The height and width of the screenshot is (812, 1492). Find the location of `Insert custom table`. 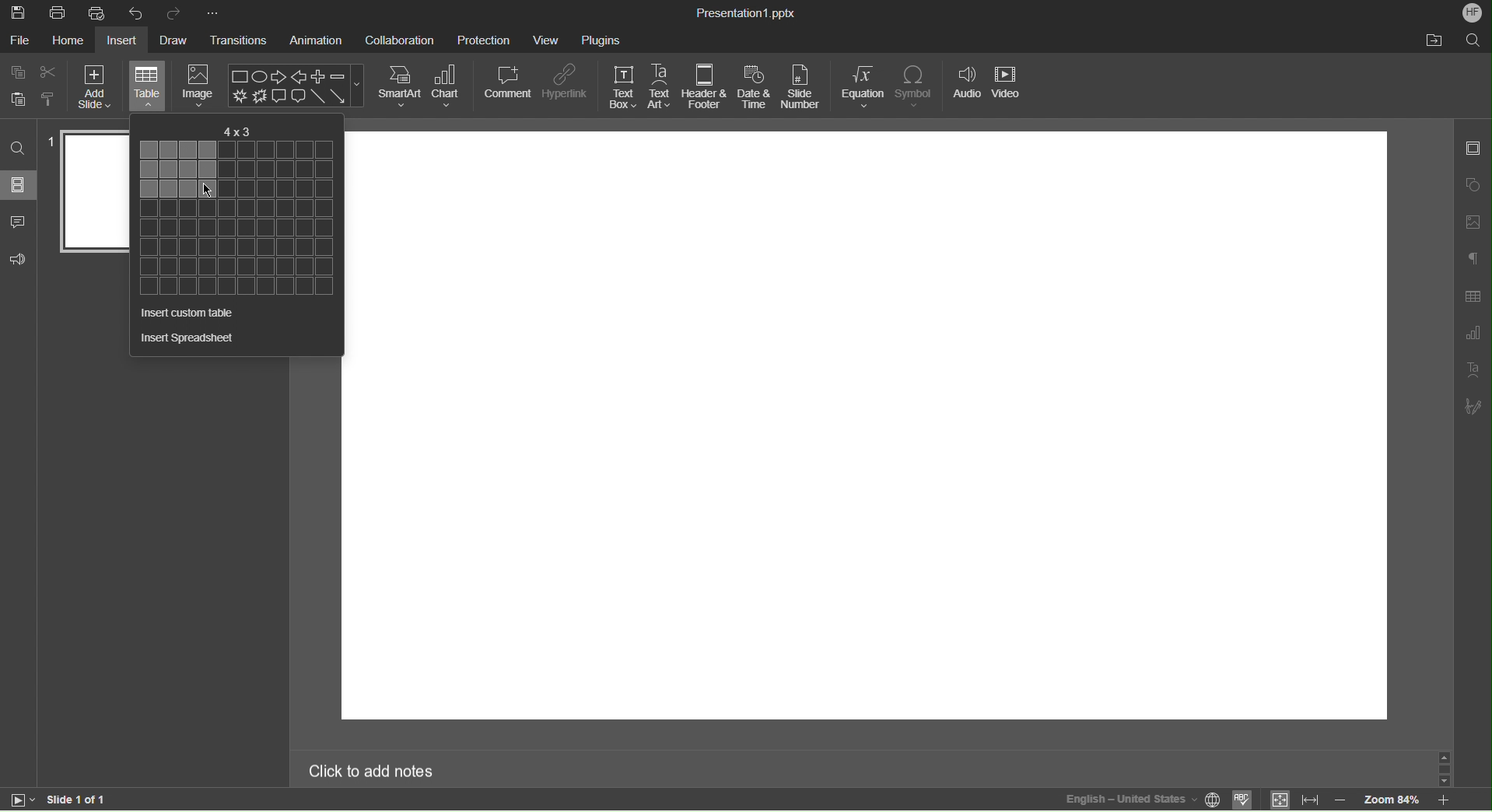

Insert custom table is located at coordinates (184, 314).